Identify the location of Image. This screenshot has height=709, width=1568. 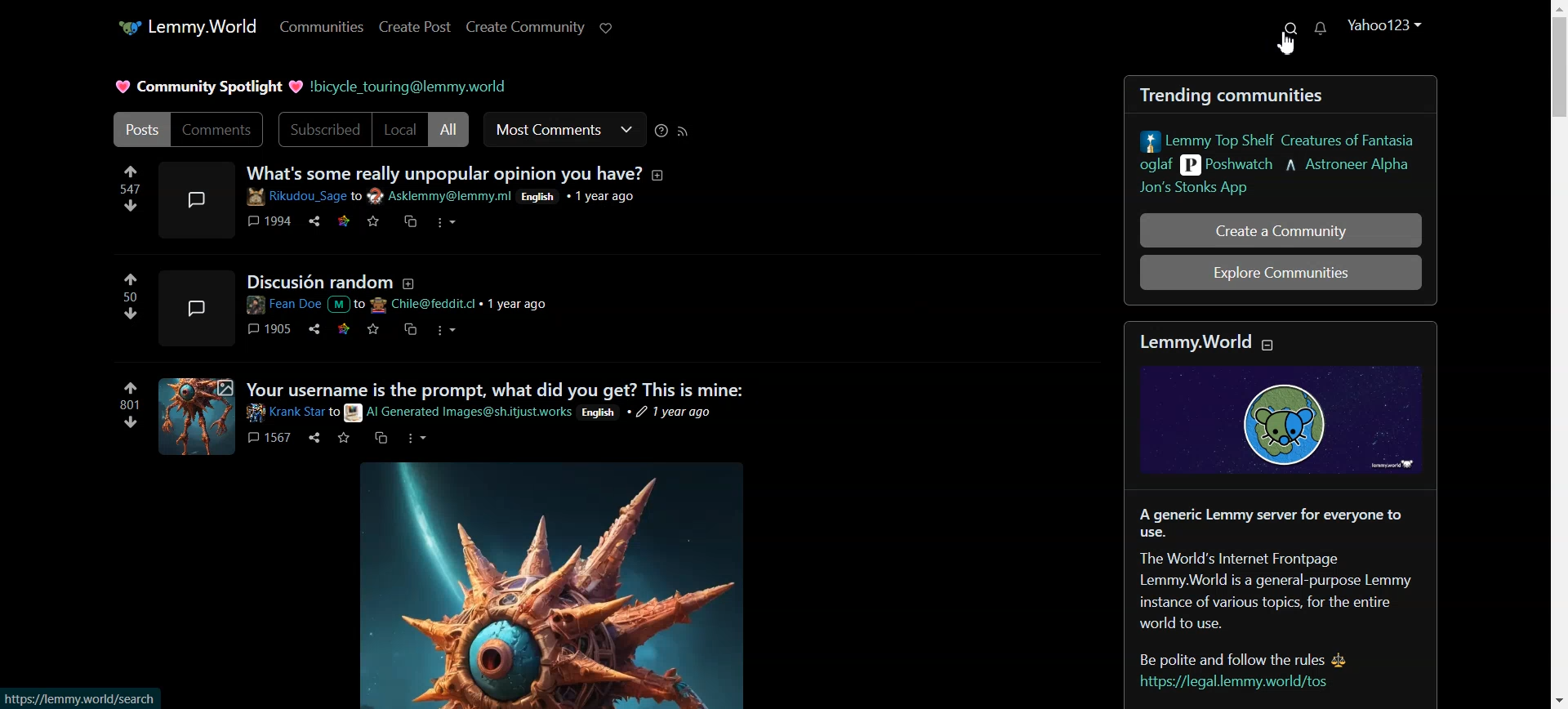
(550, 586).